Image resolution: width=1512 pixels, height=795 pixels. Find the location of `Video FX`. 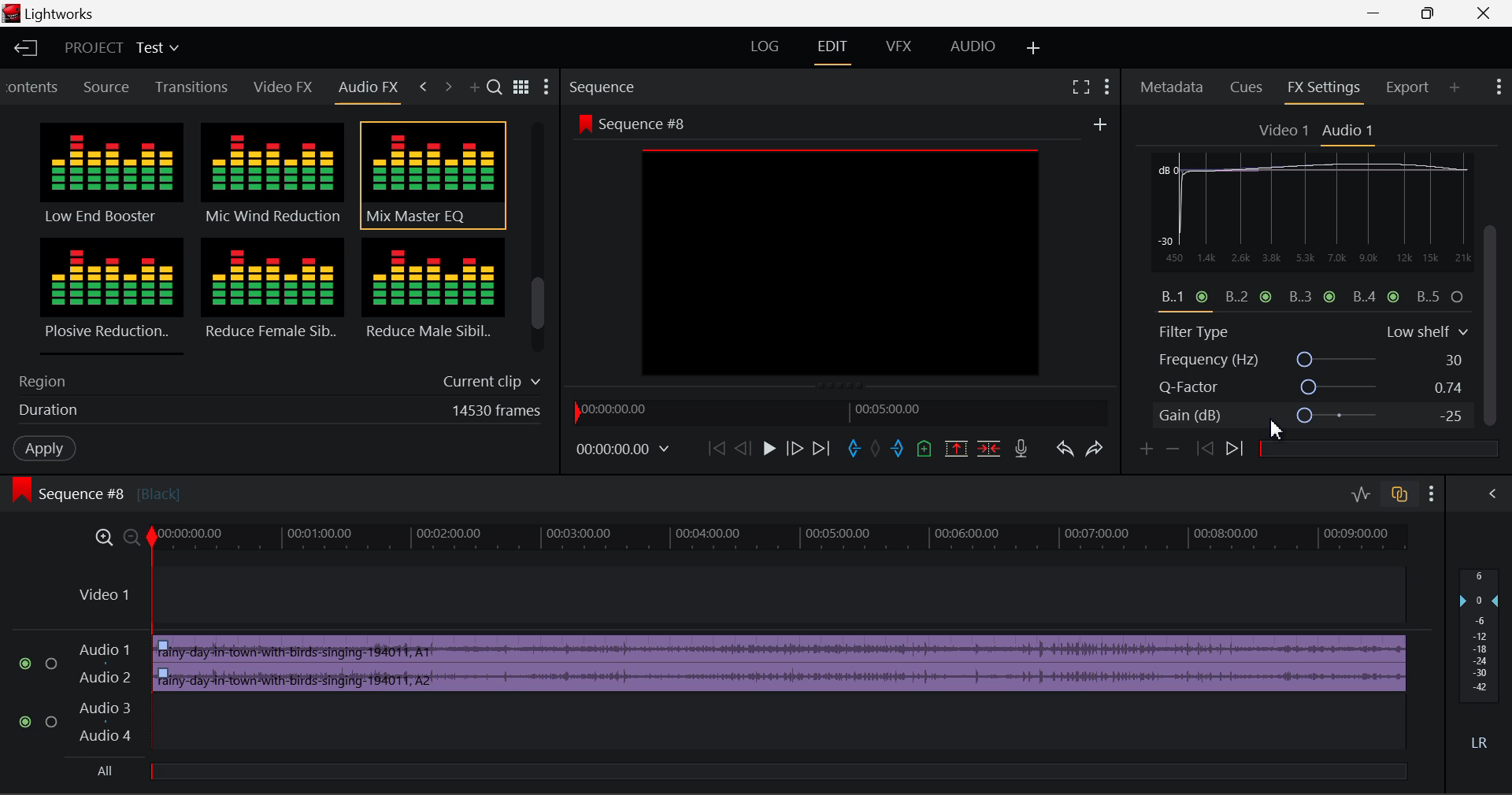

Video FX is located at coordinates (279, 88).